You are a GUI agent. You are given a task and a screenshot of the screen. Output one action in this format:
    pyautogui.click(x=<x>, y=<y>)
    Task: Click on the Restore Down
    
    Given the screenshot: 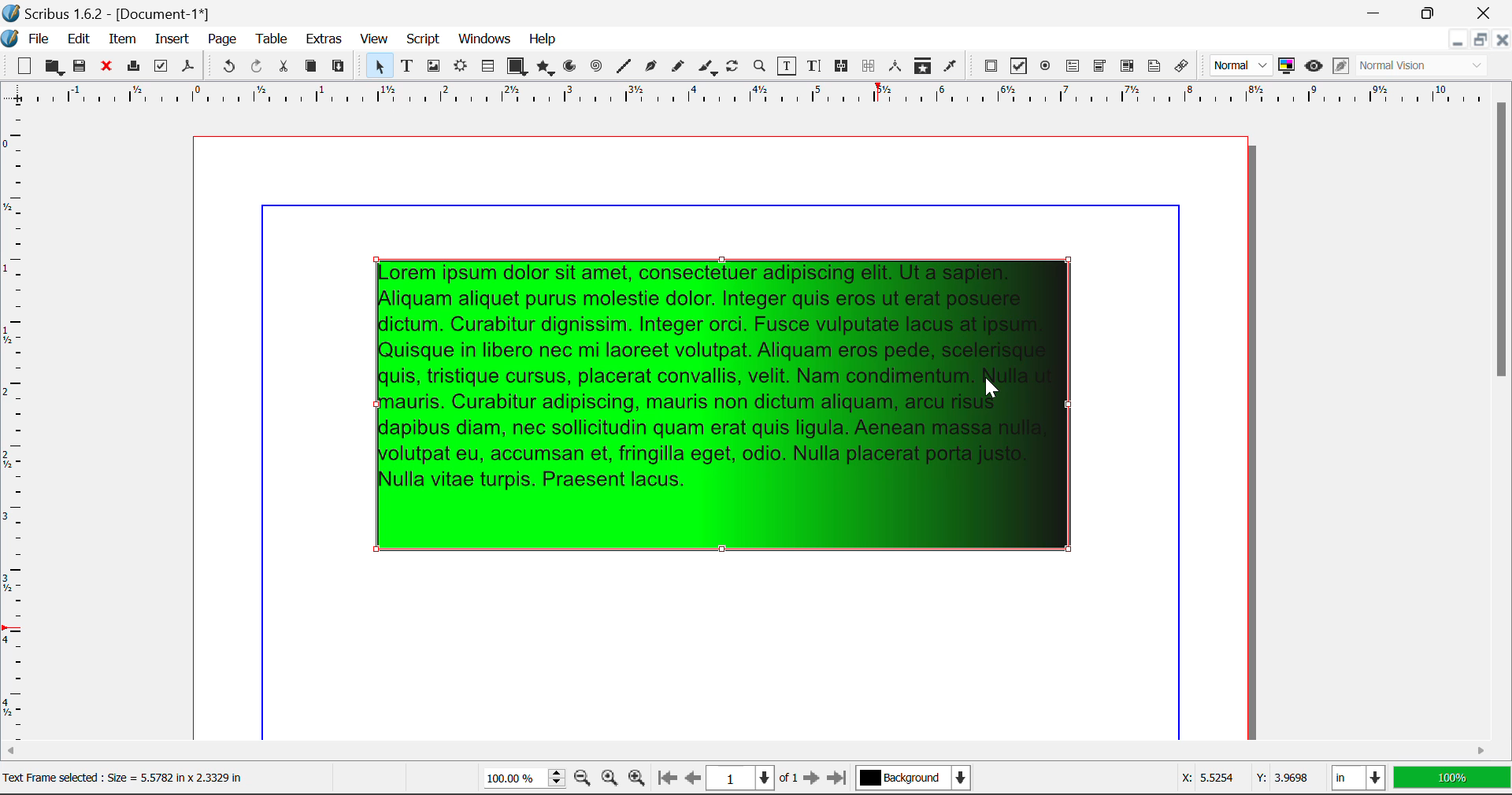 What is the action you would take?
    pyautogui.click(x=1456, y=40)
    